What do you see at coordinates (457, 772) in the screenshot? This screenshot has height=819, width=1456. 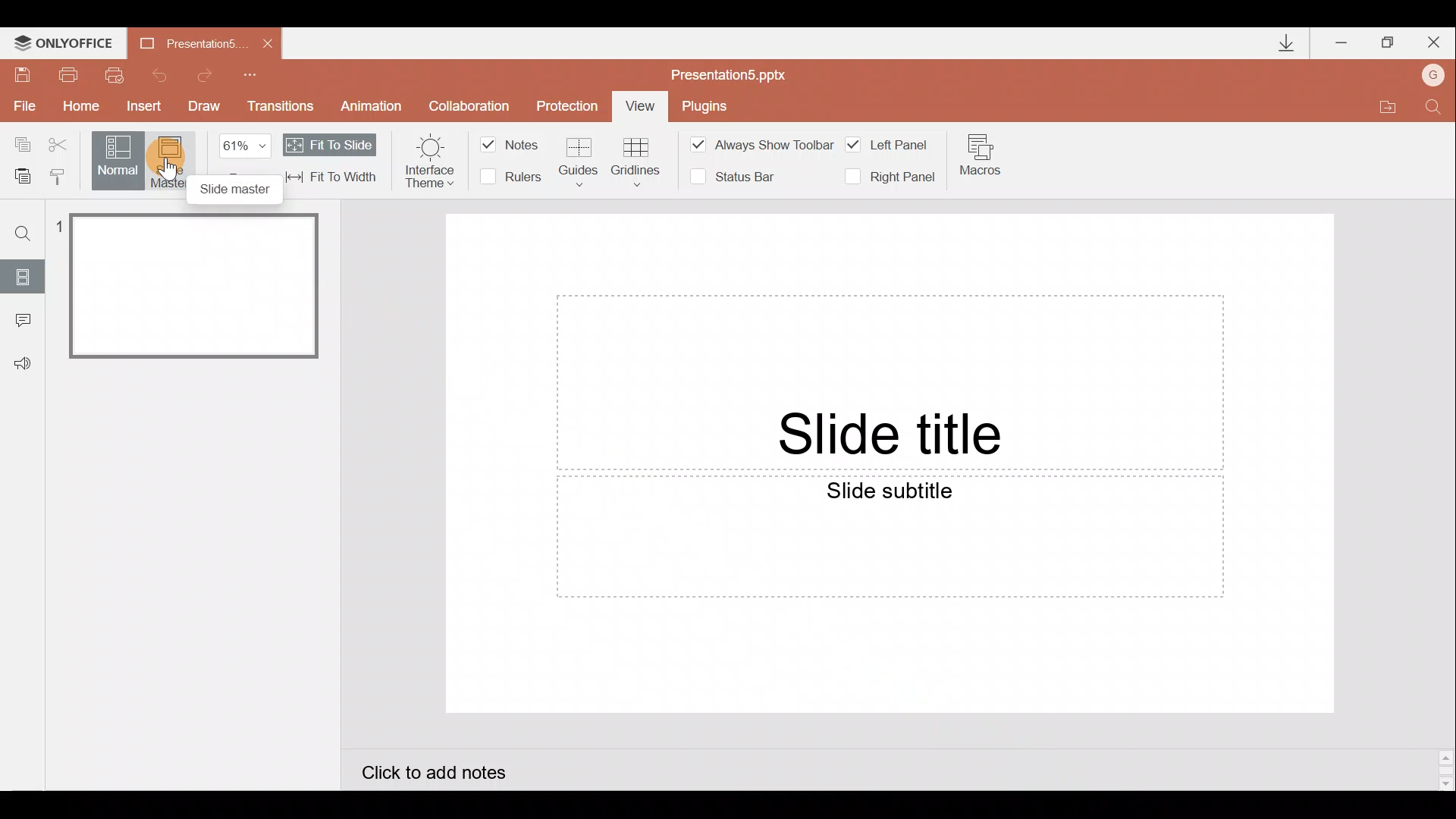 I see `Click to add notes` at bounding box center [457, 772].